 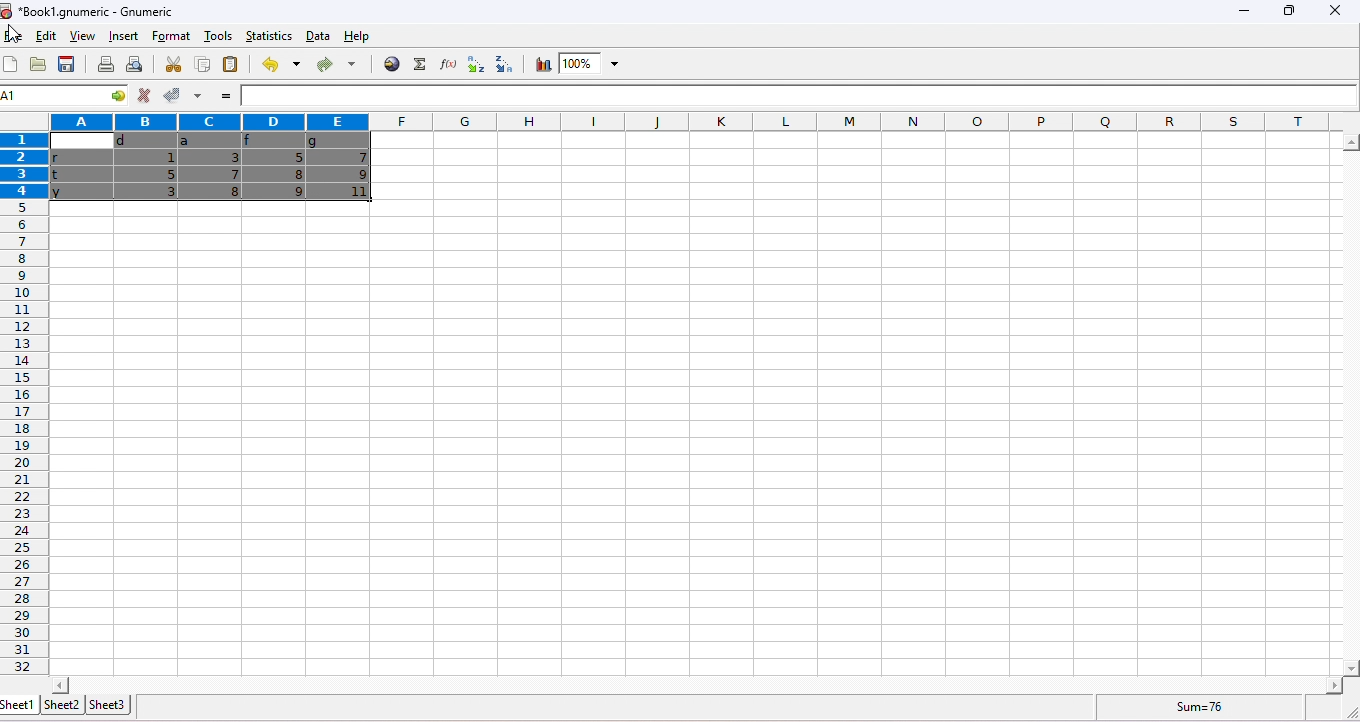 I want to click on row numbers, so click(x=22, y=404).